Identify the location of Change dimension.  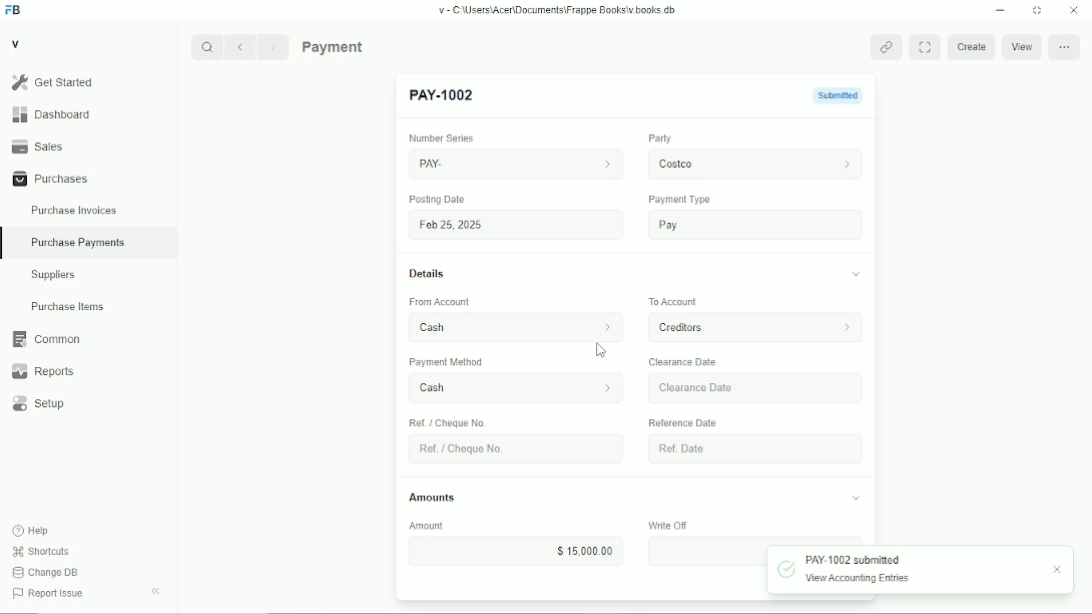
(1037, 10).